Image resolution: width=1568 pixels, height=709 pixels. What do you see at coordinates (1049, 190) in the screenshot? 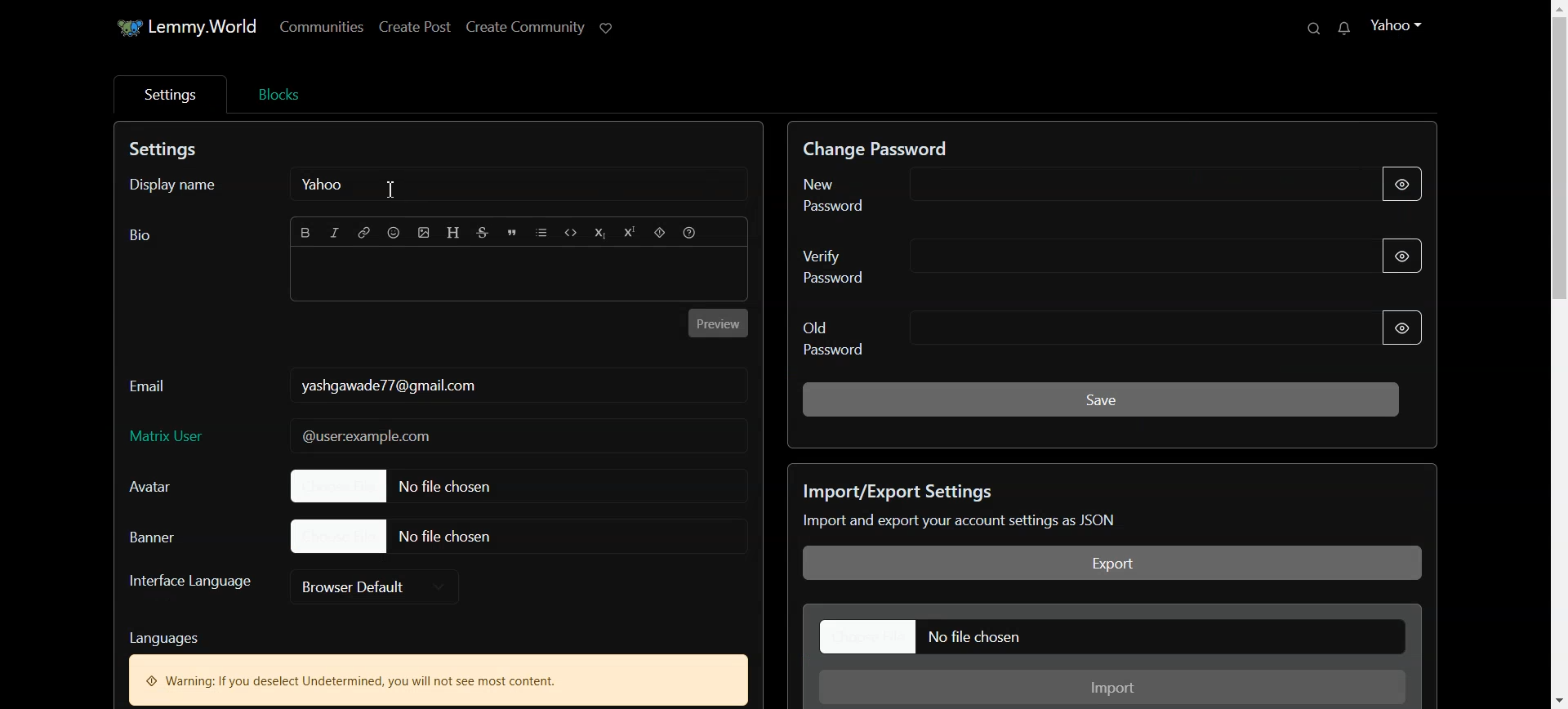
I see `New Password` at bounding box center [1049, 190].